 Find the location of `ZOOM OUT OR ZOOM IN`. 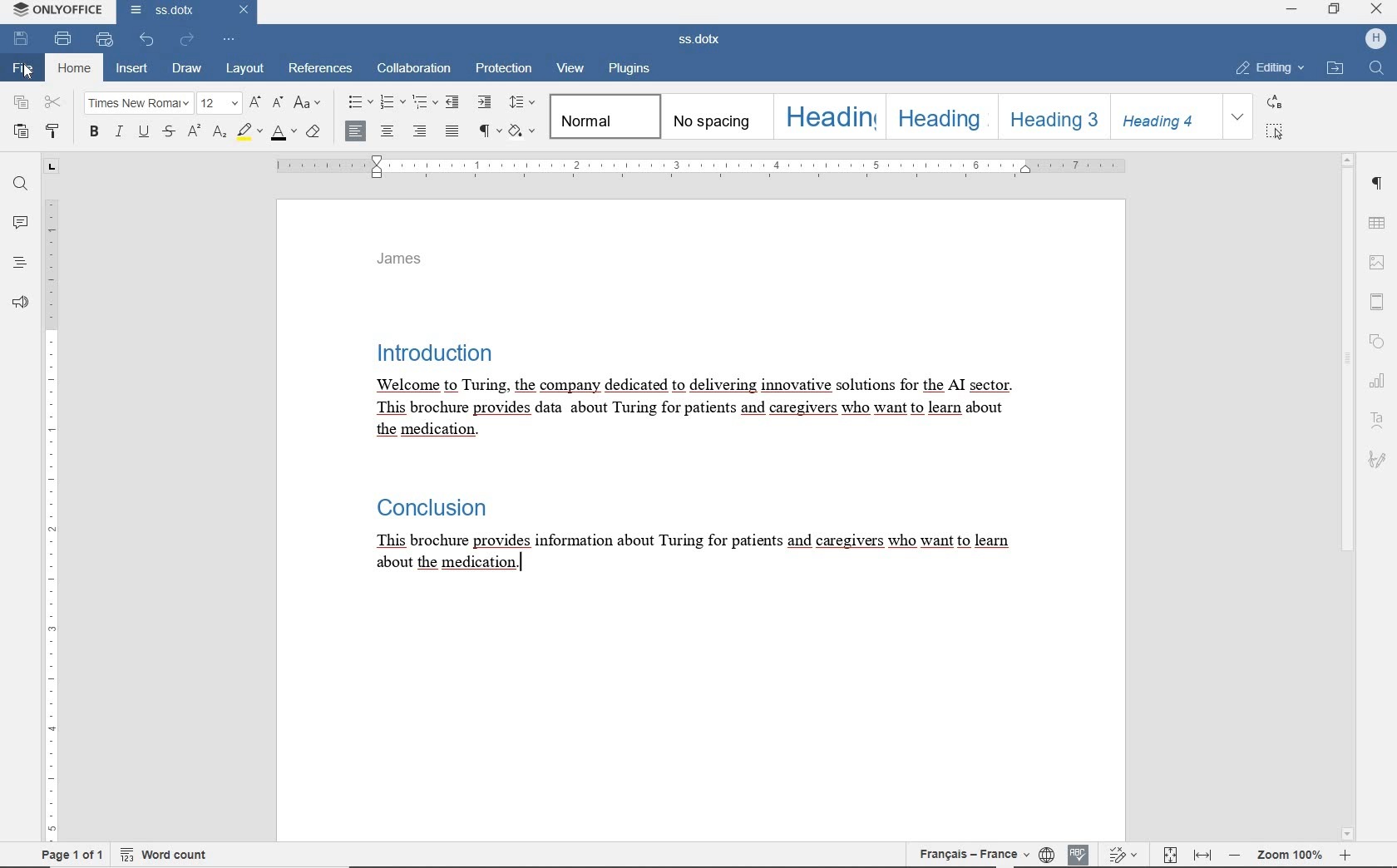

ZOOM OUT OR ZOOM IN is located at coordinates (1292, 854).